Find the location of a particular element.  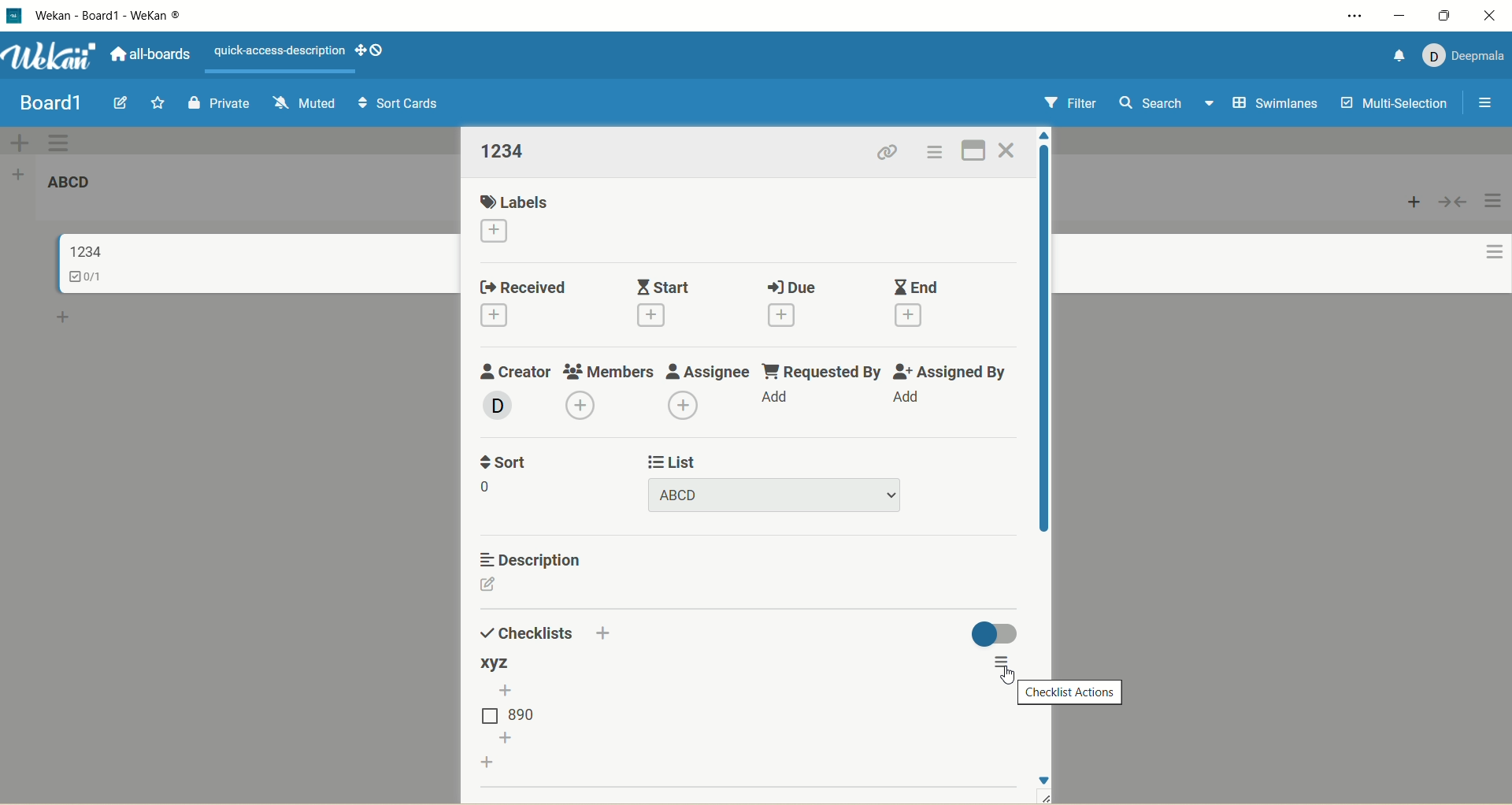

close is located at coordinates (1009, 148).